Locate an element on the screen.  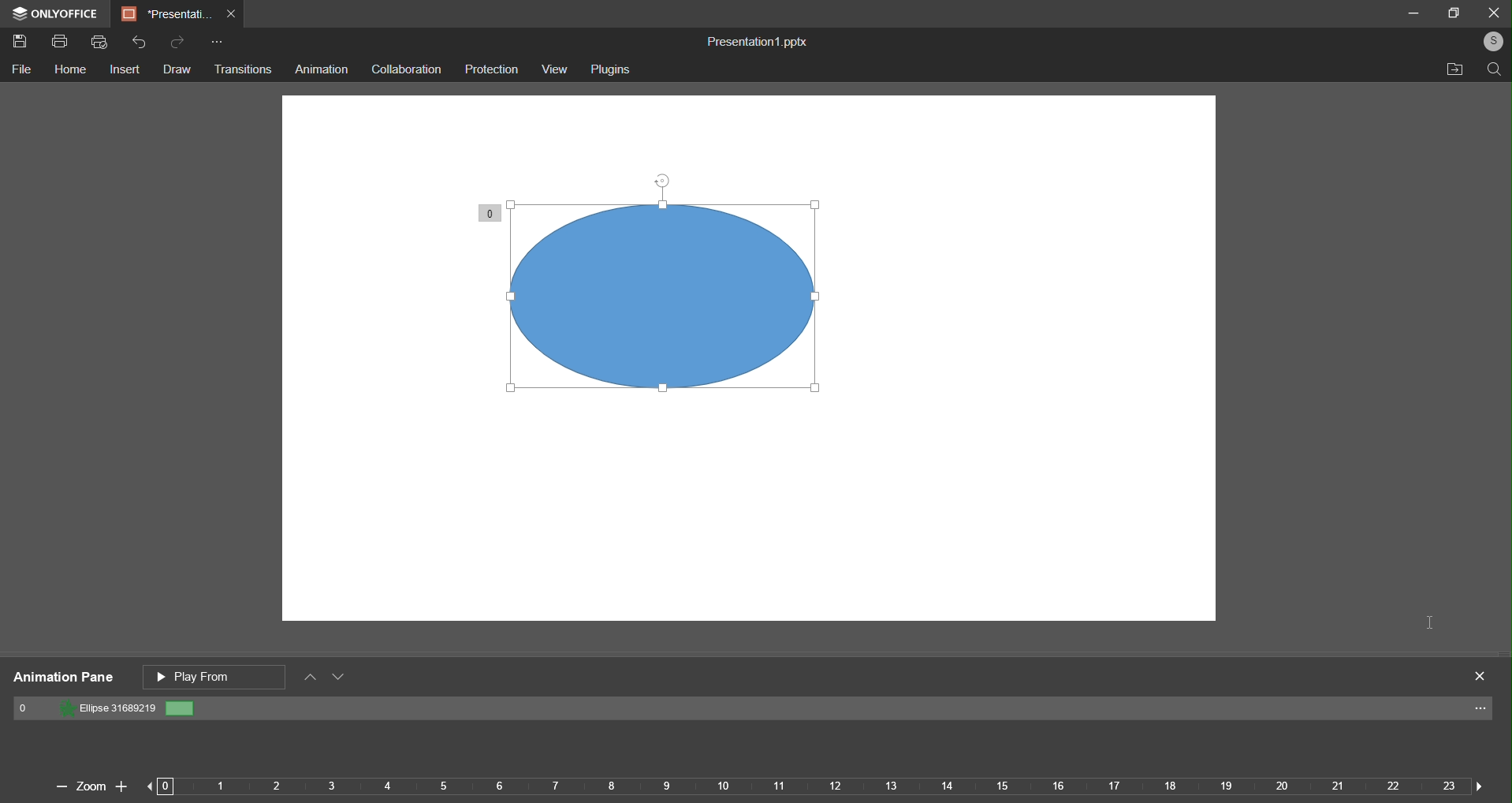
next is located at coordinates (1475, 784).